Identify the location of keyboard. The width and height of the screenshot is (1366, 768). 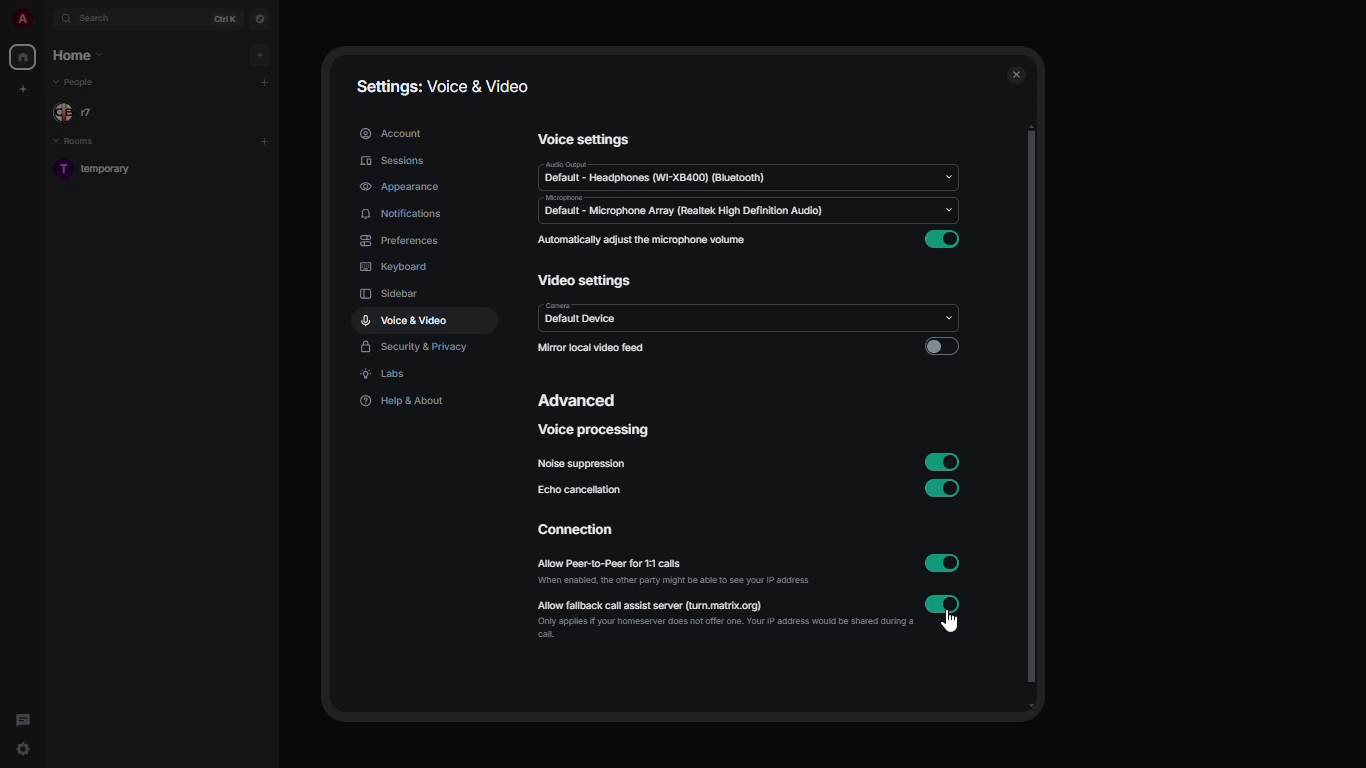
(396, 265).